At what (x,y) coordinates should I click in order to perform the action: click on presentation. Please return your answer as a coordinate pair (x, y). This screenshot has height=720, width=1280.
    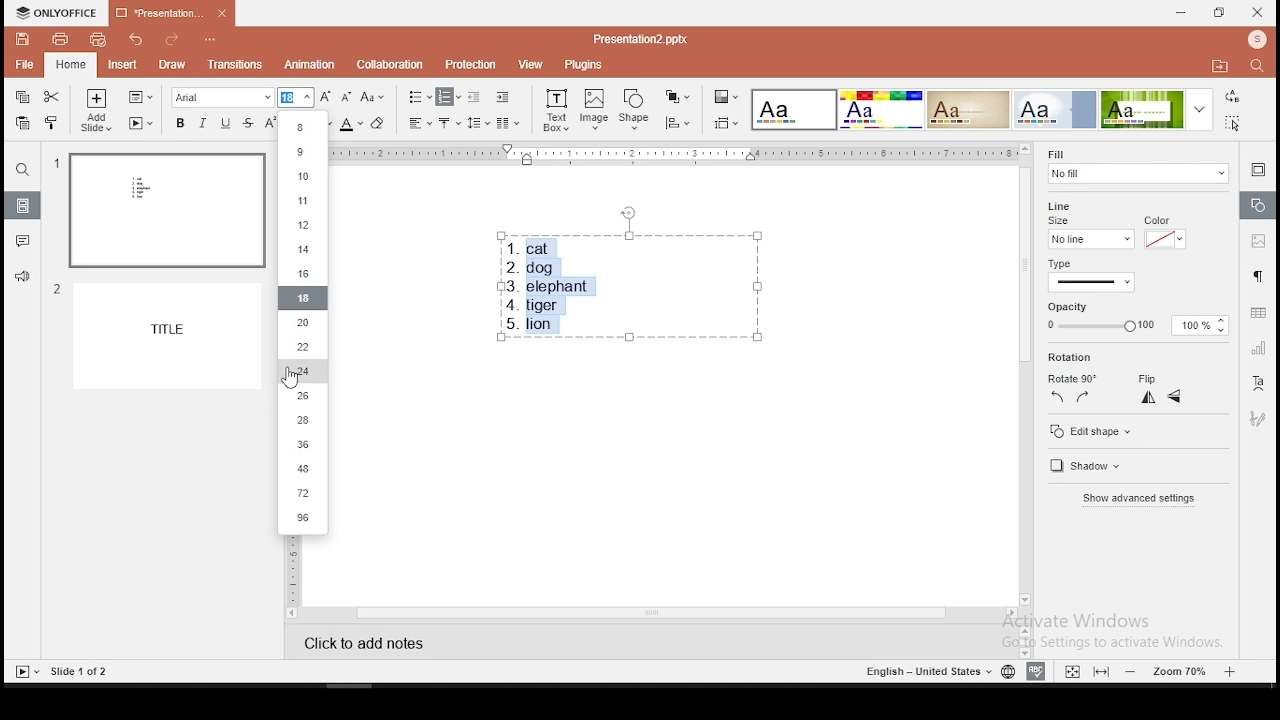
    Looking at the image, I should click on (168, 13).